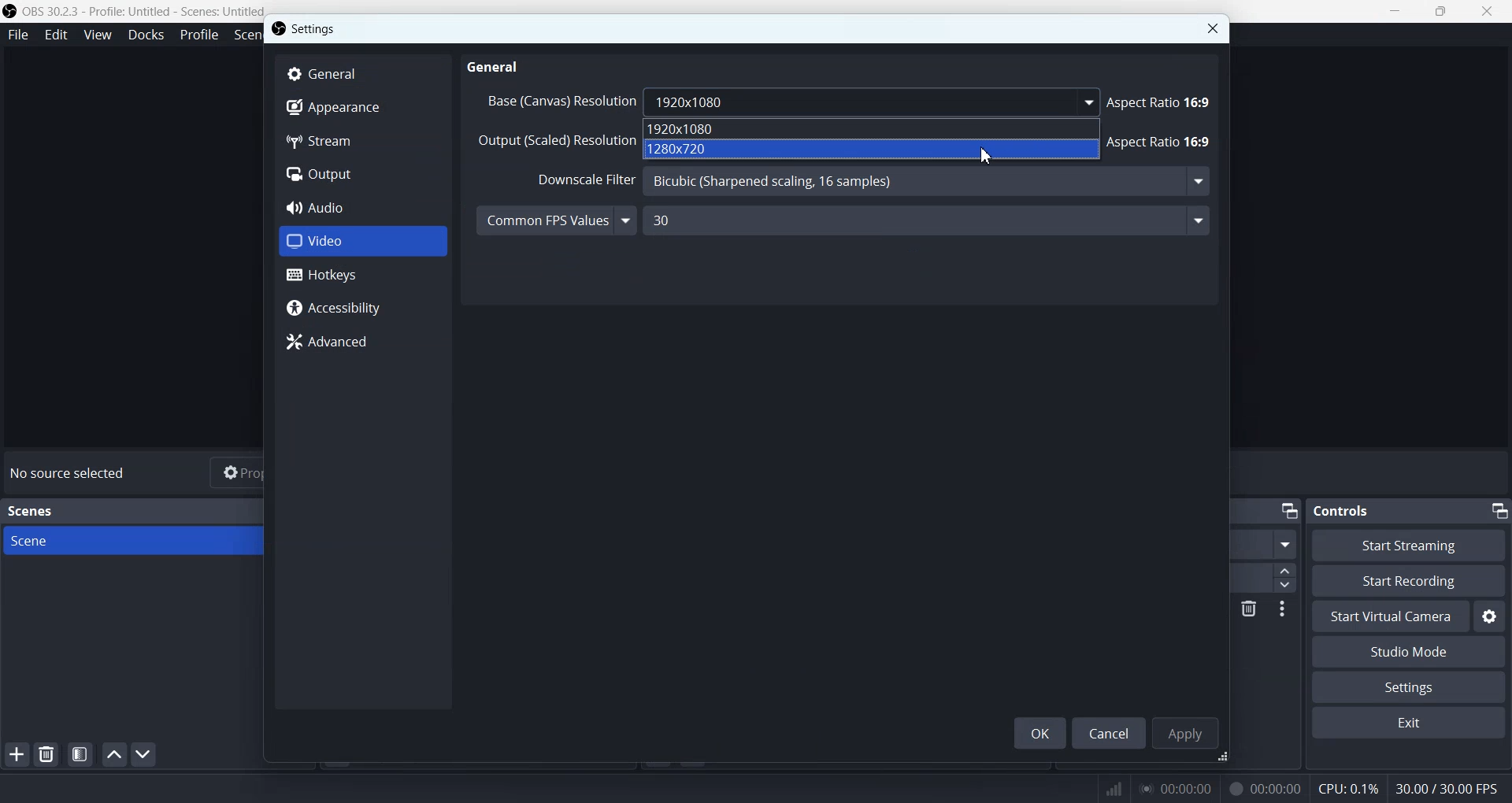 This screenshot has height=803, width=1512. Describe the element at coordinates (31, 512) in the screenshot. I see `Scenes` at that location.